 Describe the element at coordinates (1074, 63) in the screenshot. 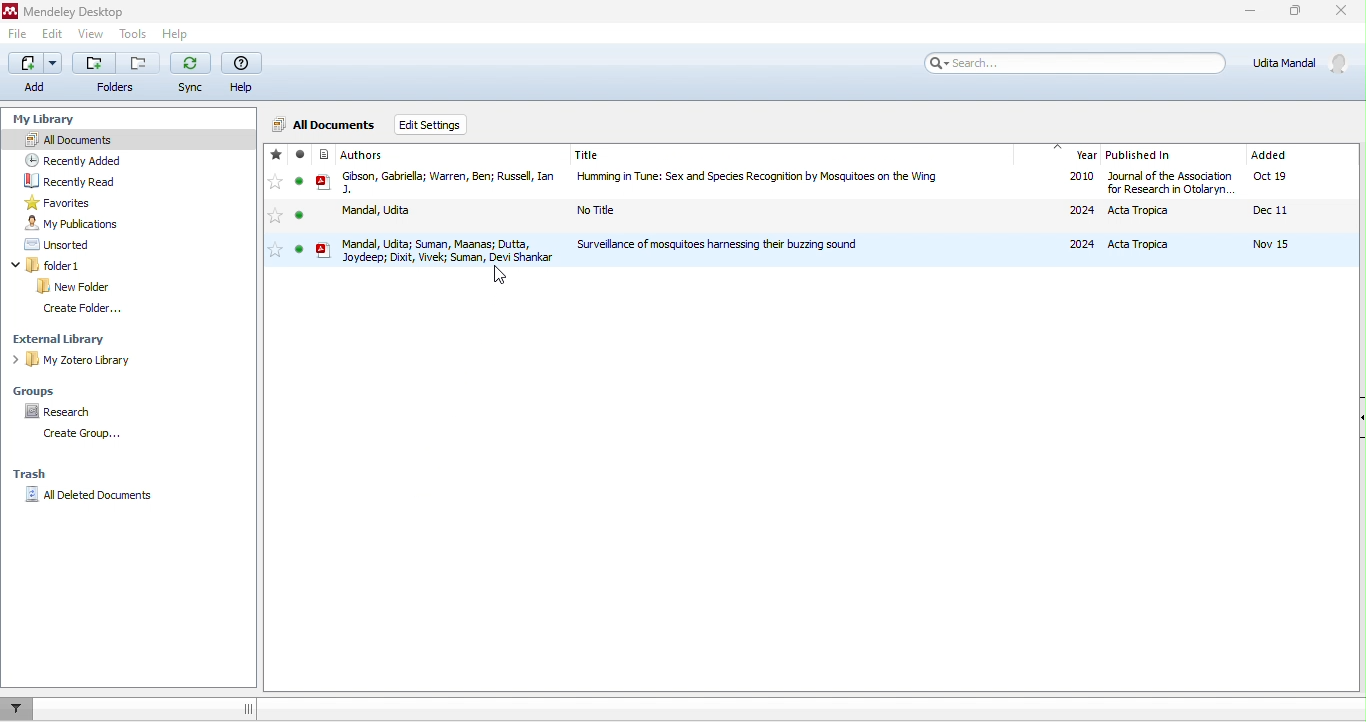

I see `search bar ` at that location.